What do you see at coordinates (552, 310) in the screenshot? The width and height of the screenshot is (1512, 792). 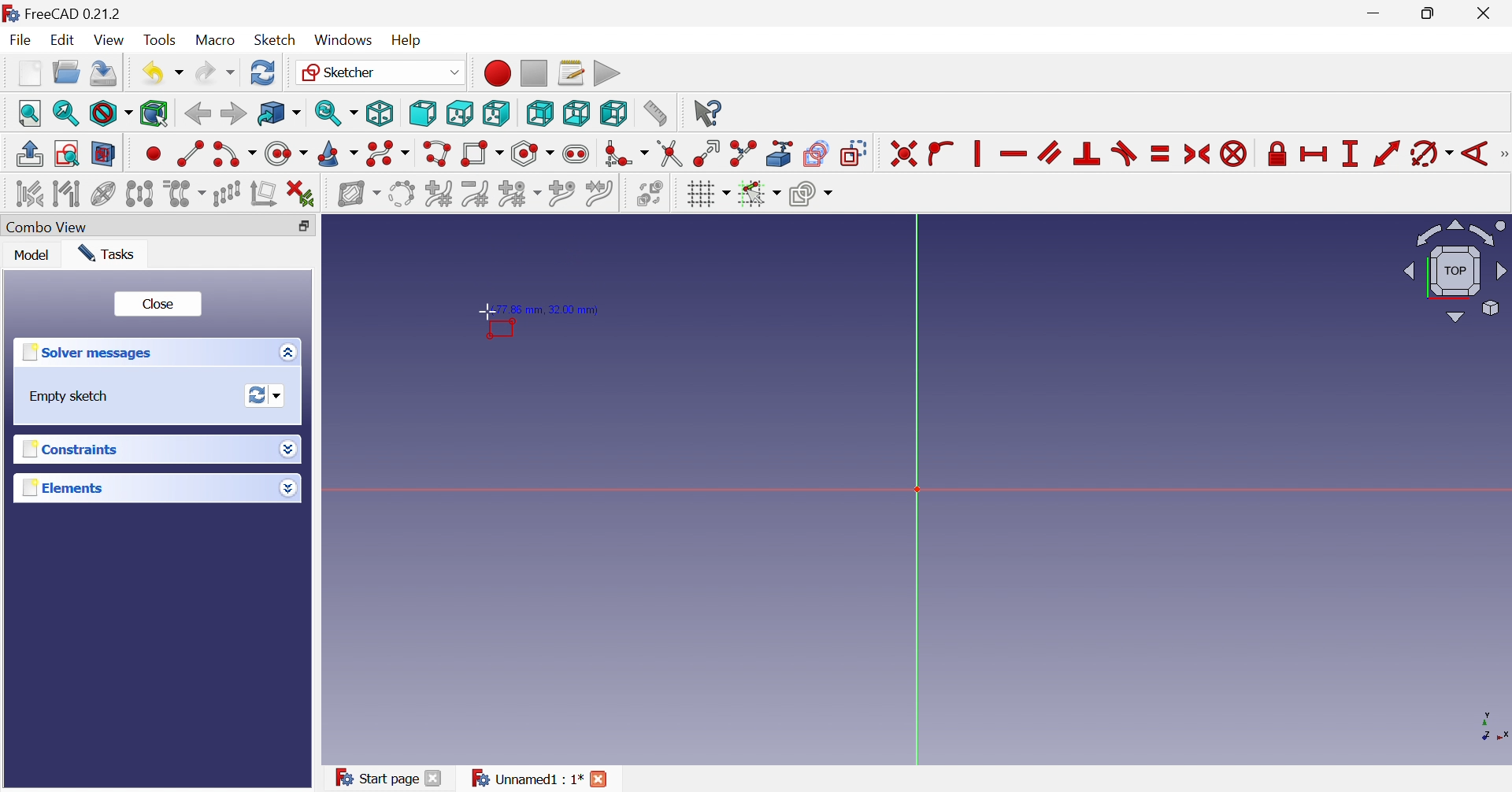 I see `7.86mm, 32.00mm` at bounding box center [552, 310].